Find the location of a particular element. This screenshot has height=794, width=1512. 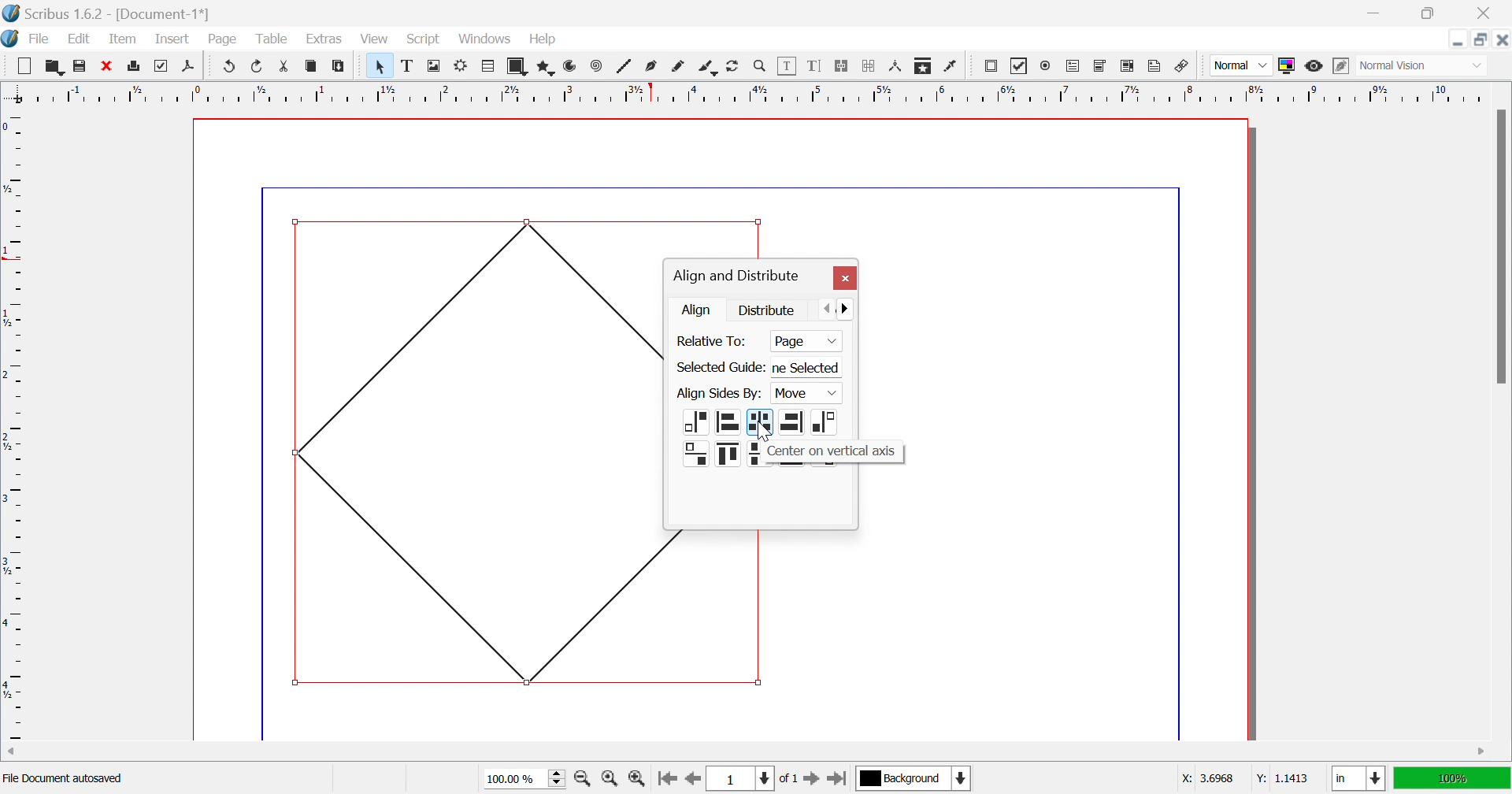

PDF text field is located at coordinates (1075, 67).